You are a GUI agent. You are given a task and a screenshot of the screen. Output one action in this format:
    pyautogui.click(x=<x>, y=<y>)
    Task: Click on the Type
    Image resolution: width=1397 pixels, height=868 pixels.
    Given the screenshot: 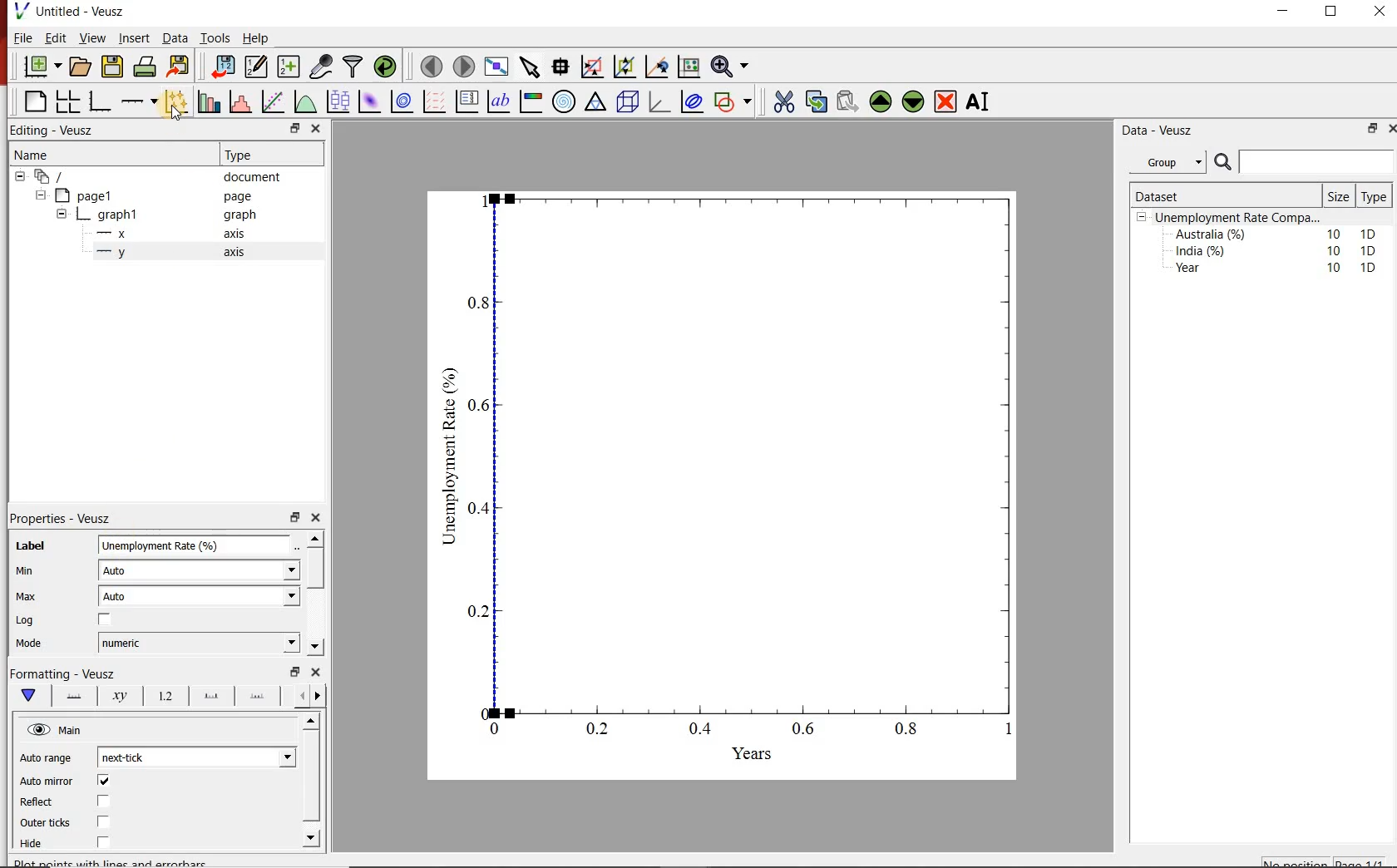 What is the action you would take?
    pyautogui.click(x=260, y=155)
    